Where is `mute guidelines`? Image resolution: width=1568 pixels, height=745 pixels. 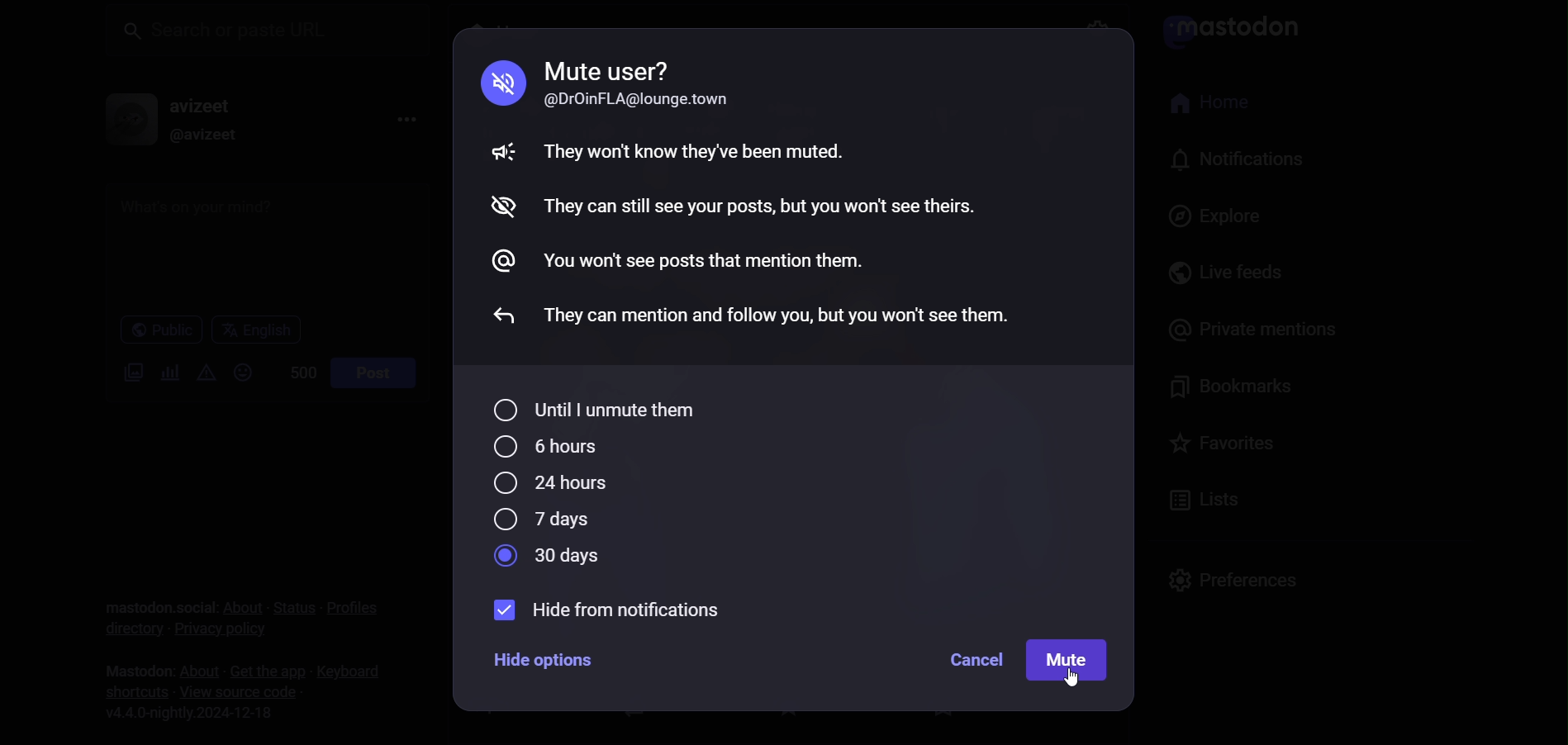
mute guidelines is located at coordinates (781, 201).